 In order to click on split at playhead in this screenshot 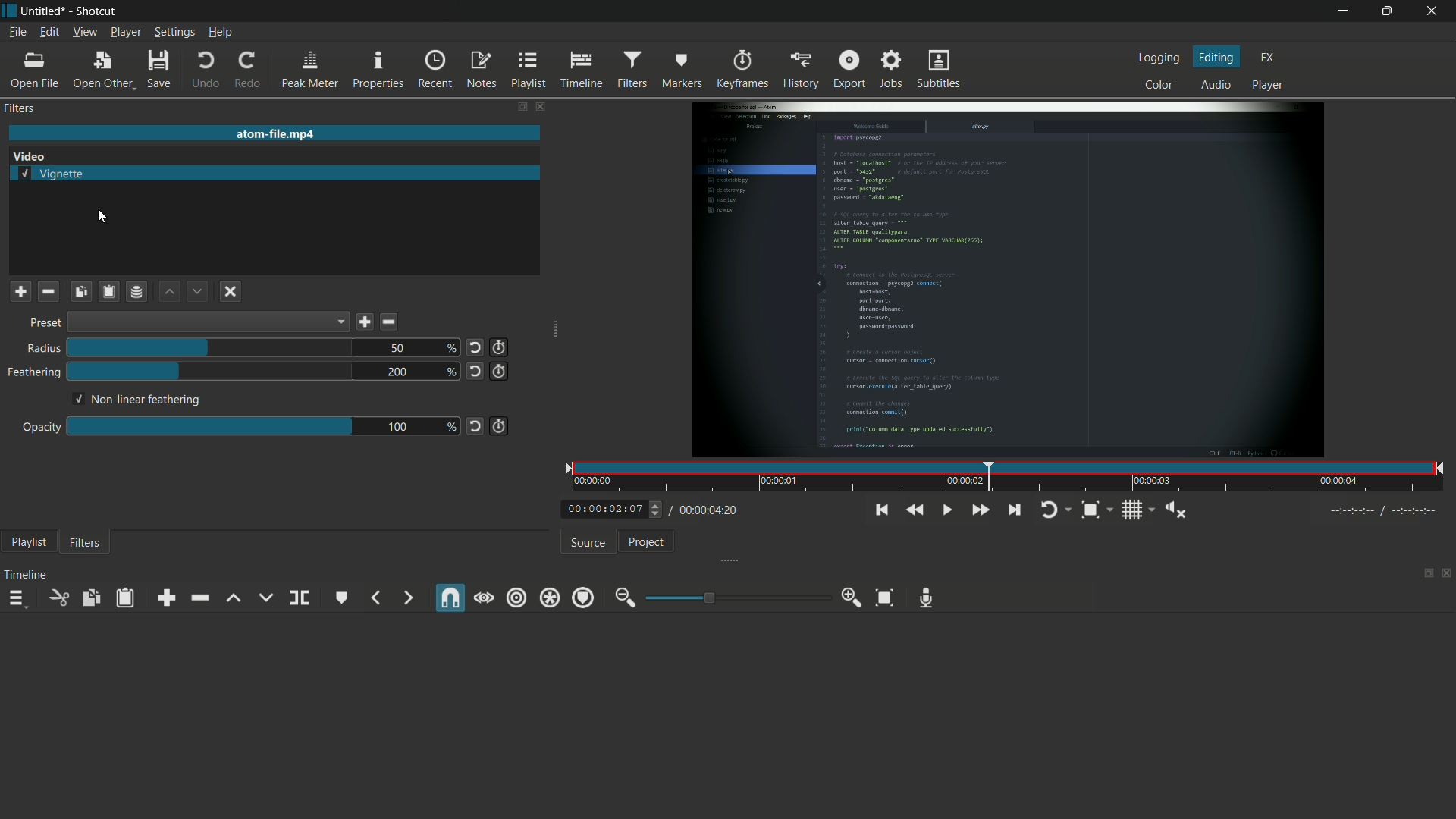, I will do `click(300, 598)`.